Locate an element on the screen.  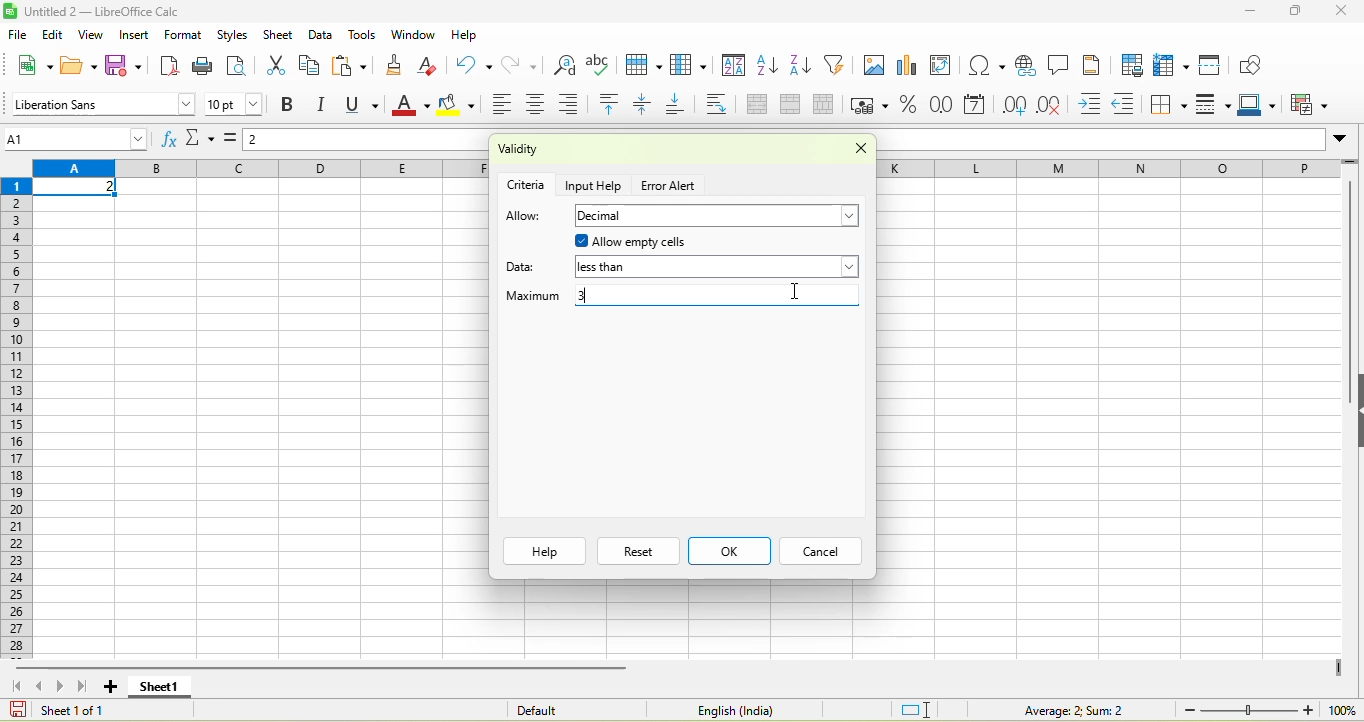
rows is located at coordinates (19, 417).